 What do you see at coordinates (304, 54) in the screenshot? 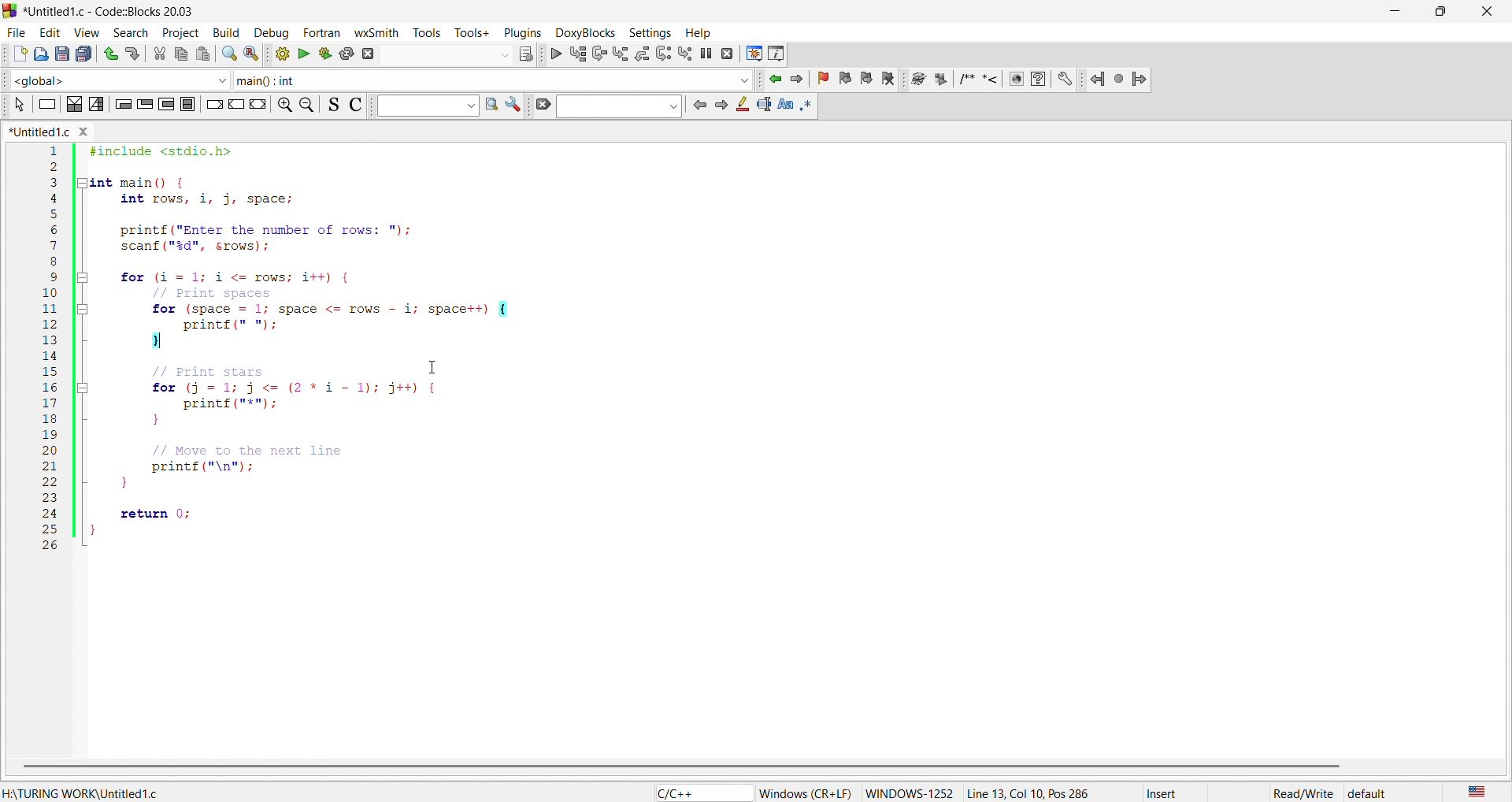
I see `run` at bounding box center [304, 54].